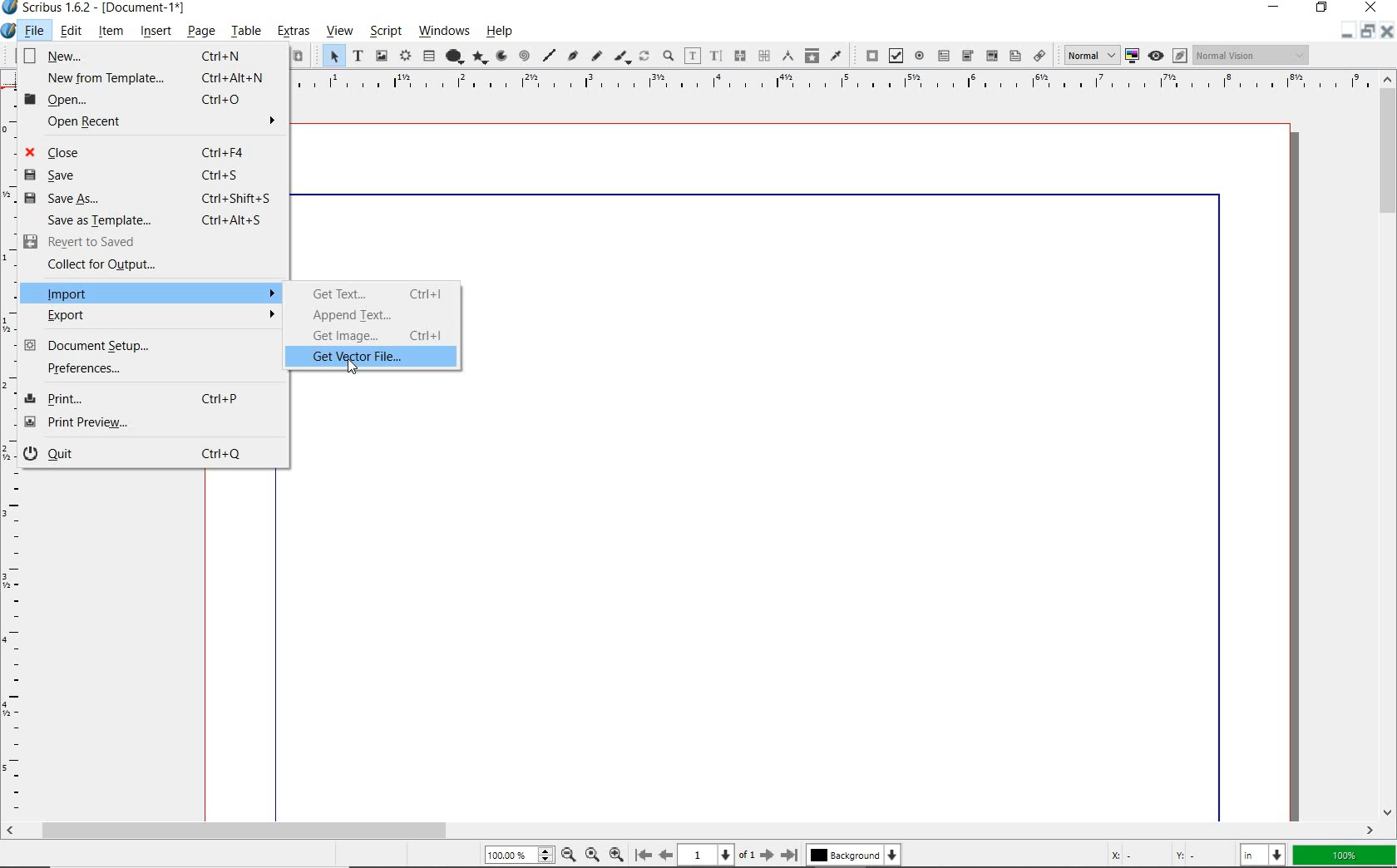 The width and height of the screenshot is (1397, 868). What do you see at coordinates (739, 56) in the screenshot?
I see `link text frames` at bounding box center [739, 56].